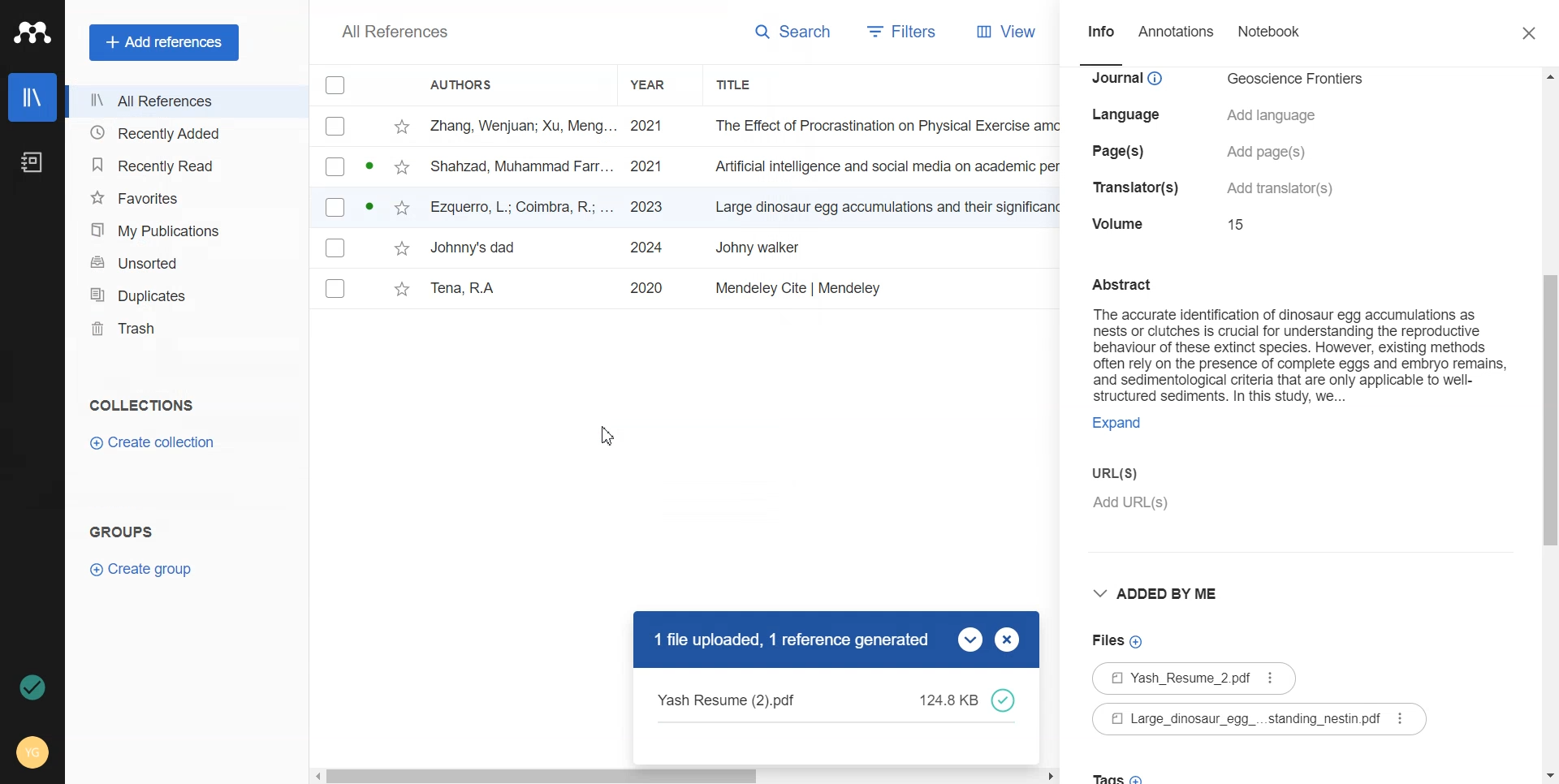 Image resolution: width=1559 pixels, height=784 pixels. Describe the element at coordinates (1112, 471) in the screenshot. I see `urls` at that location.